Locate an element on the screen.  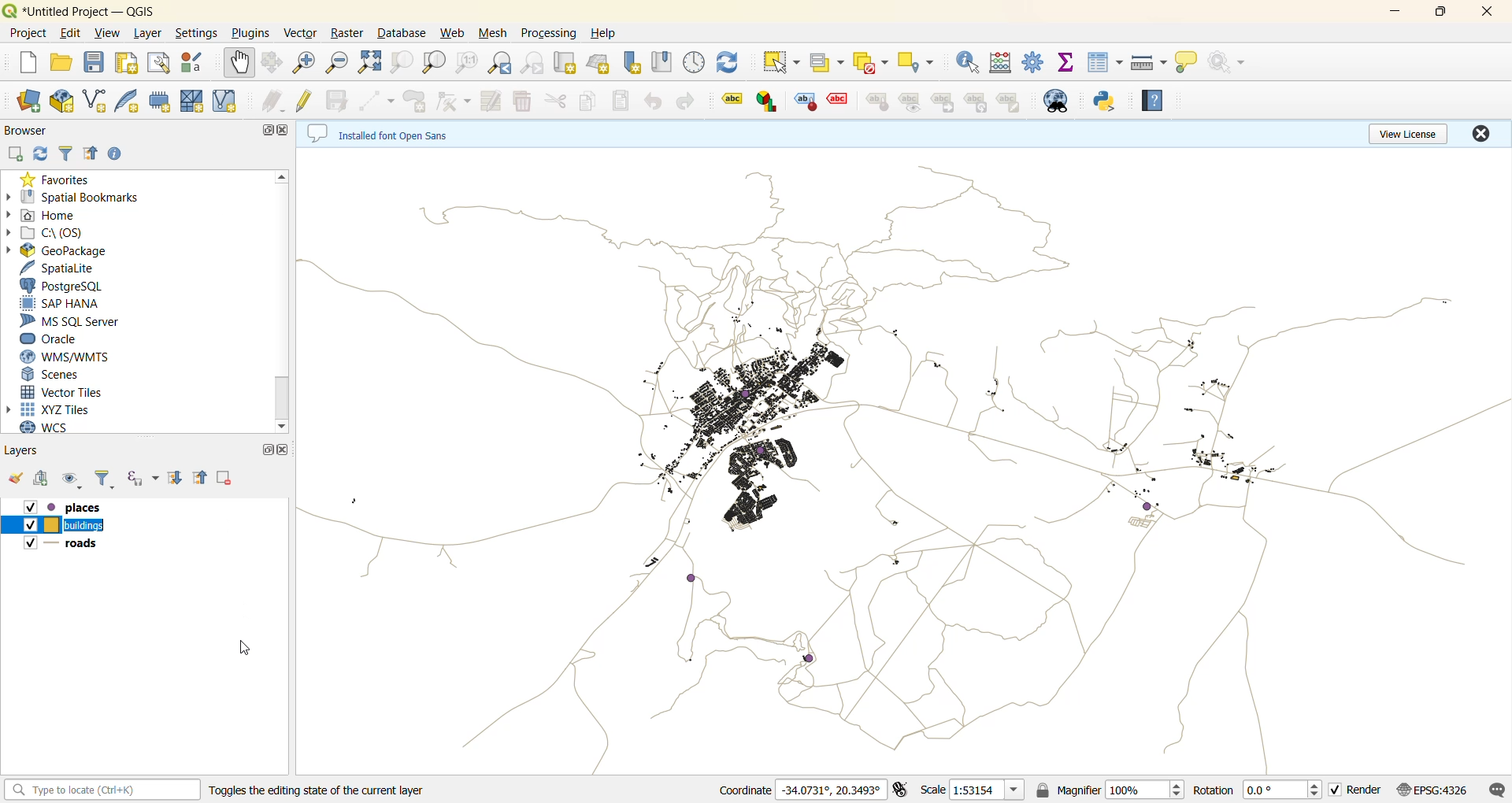
identify features is located at coordinates (969, 63).